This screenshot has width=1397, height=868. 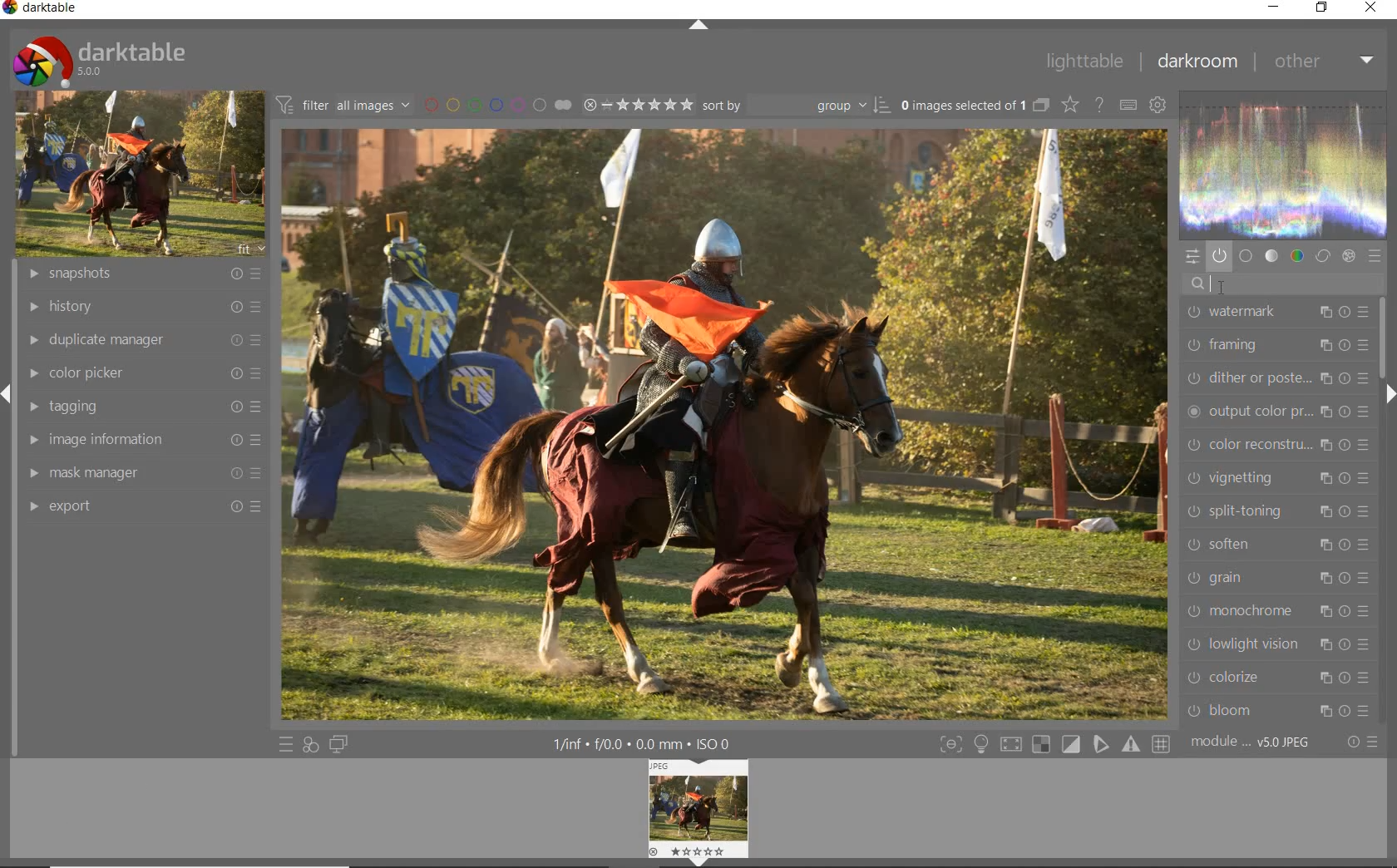 What do you see at coordinates (1219, 257) in the screenshot?
I see `show only active modules` at bounding box center [1219, 257].